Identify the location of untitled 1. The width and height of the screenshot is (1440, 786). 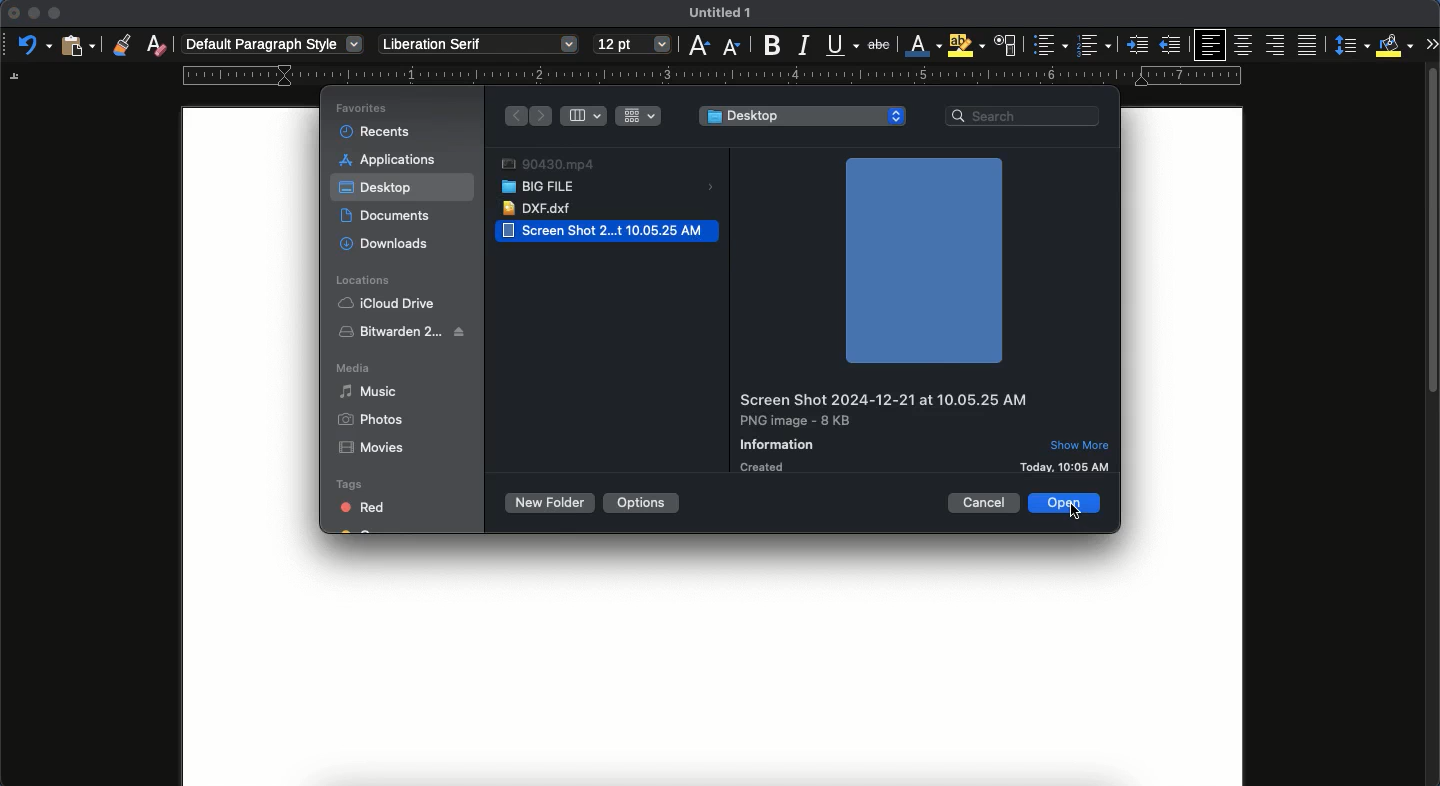
(721, 12).